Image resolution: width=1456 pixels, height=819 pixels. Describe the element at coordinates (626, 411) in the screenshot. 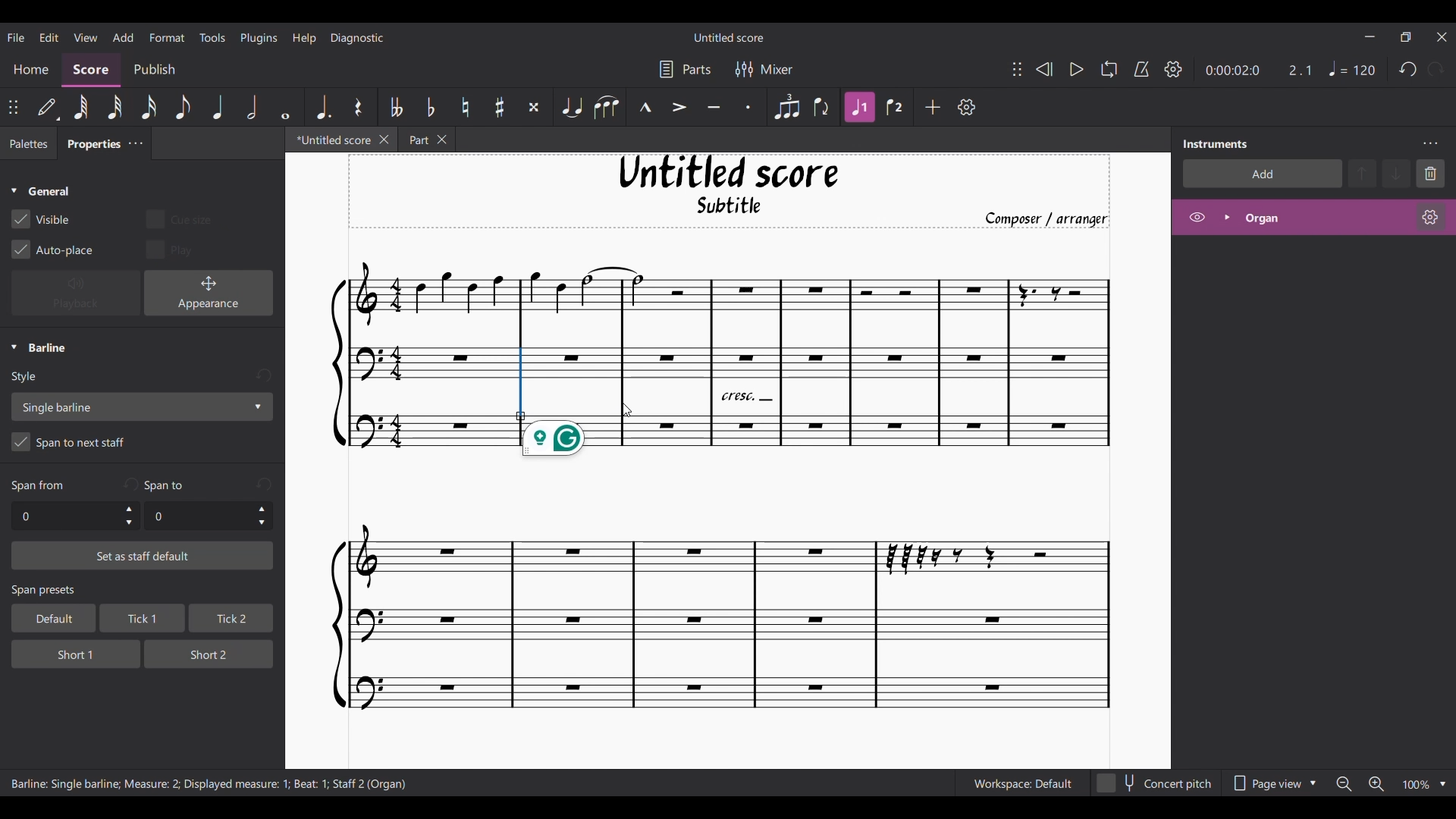

I see `Cursor selecting barline` at that location.